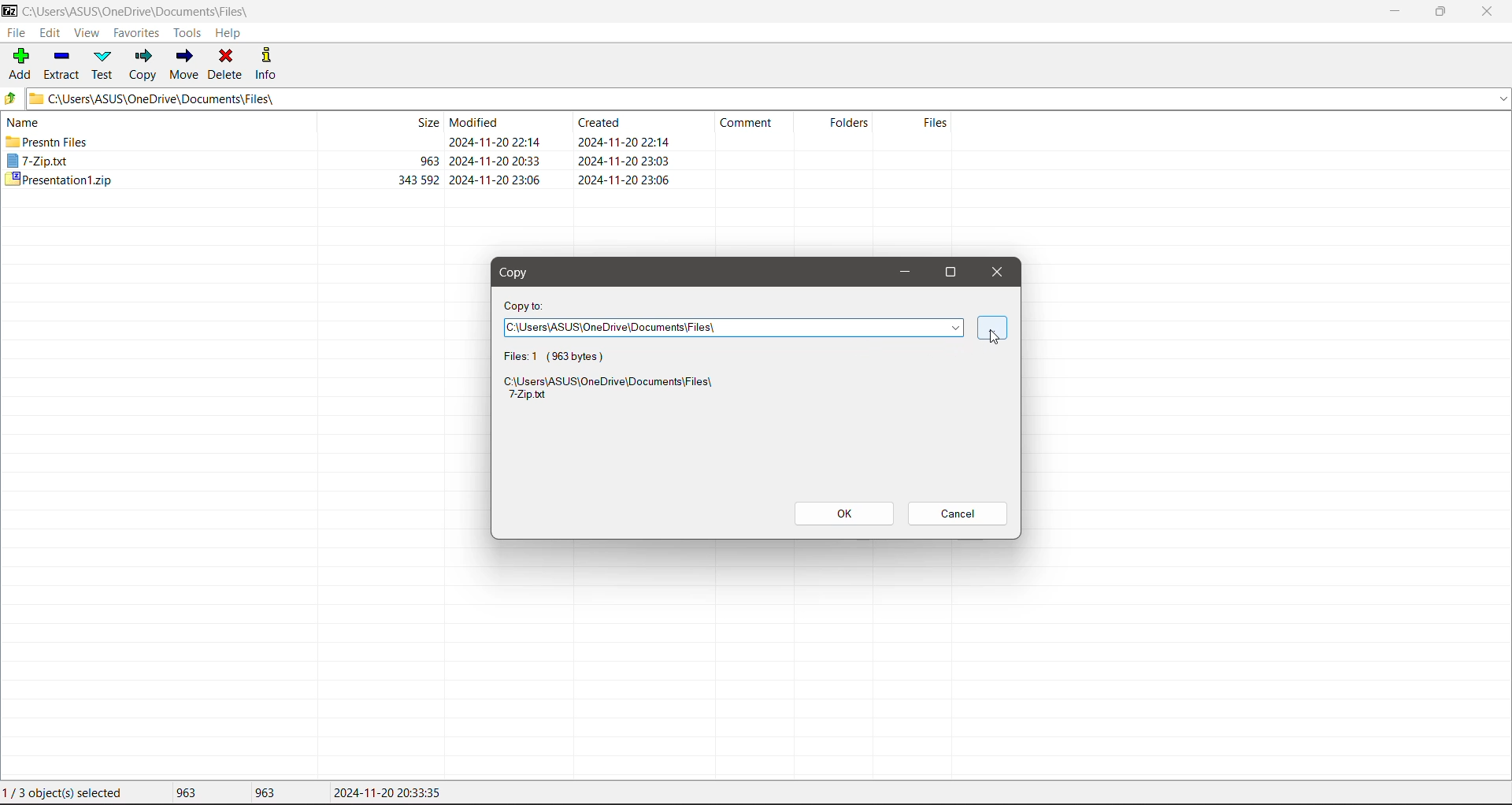 The width and height of the screenshot is (1512, 805). I want to click on File, so click(15, 32).